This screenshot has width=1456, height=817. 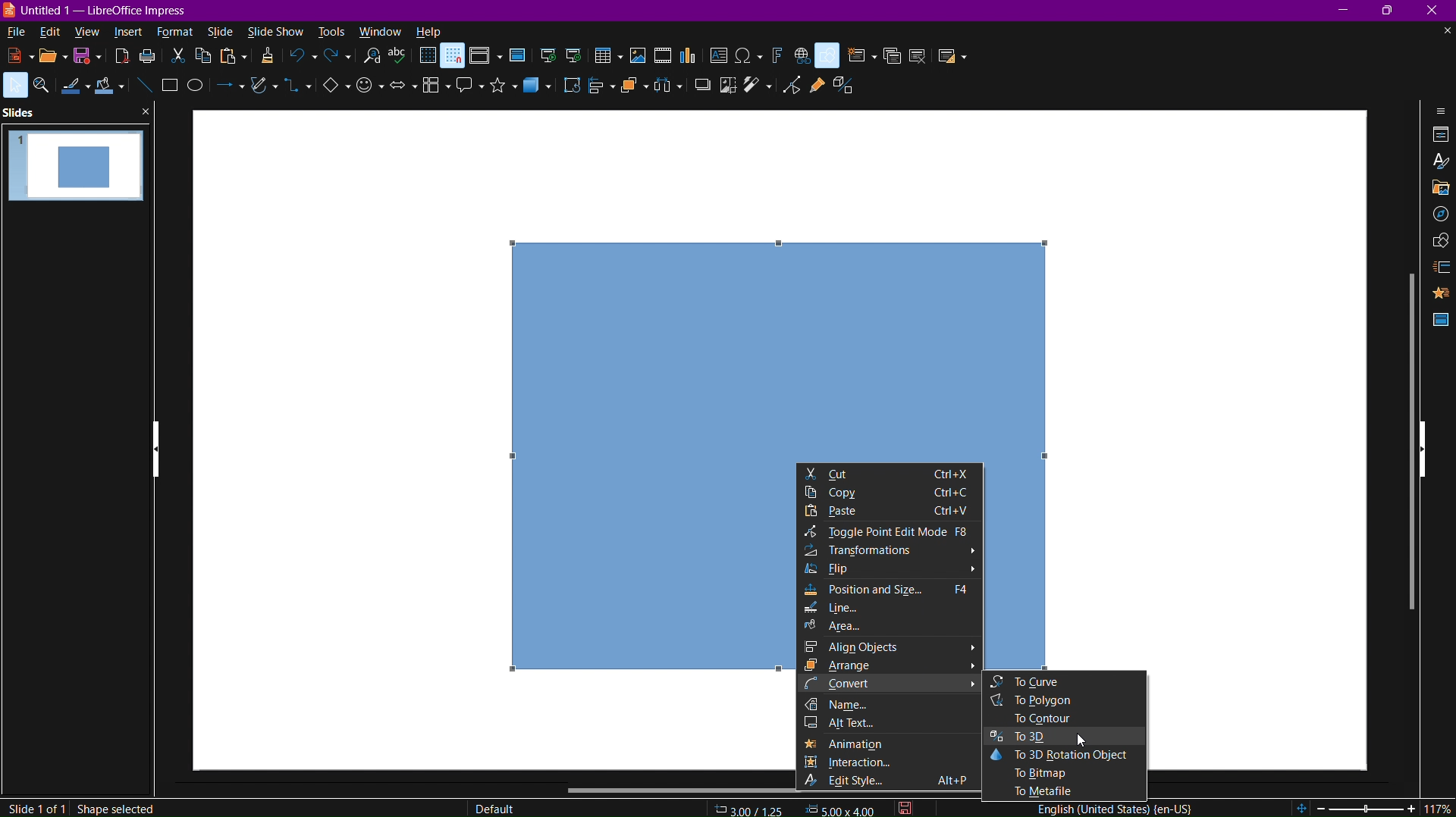 I want to click on Default, so click(x=494, y=806).